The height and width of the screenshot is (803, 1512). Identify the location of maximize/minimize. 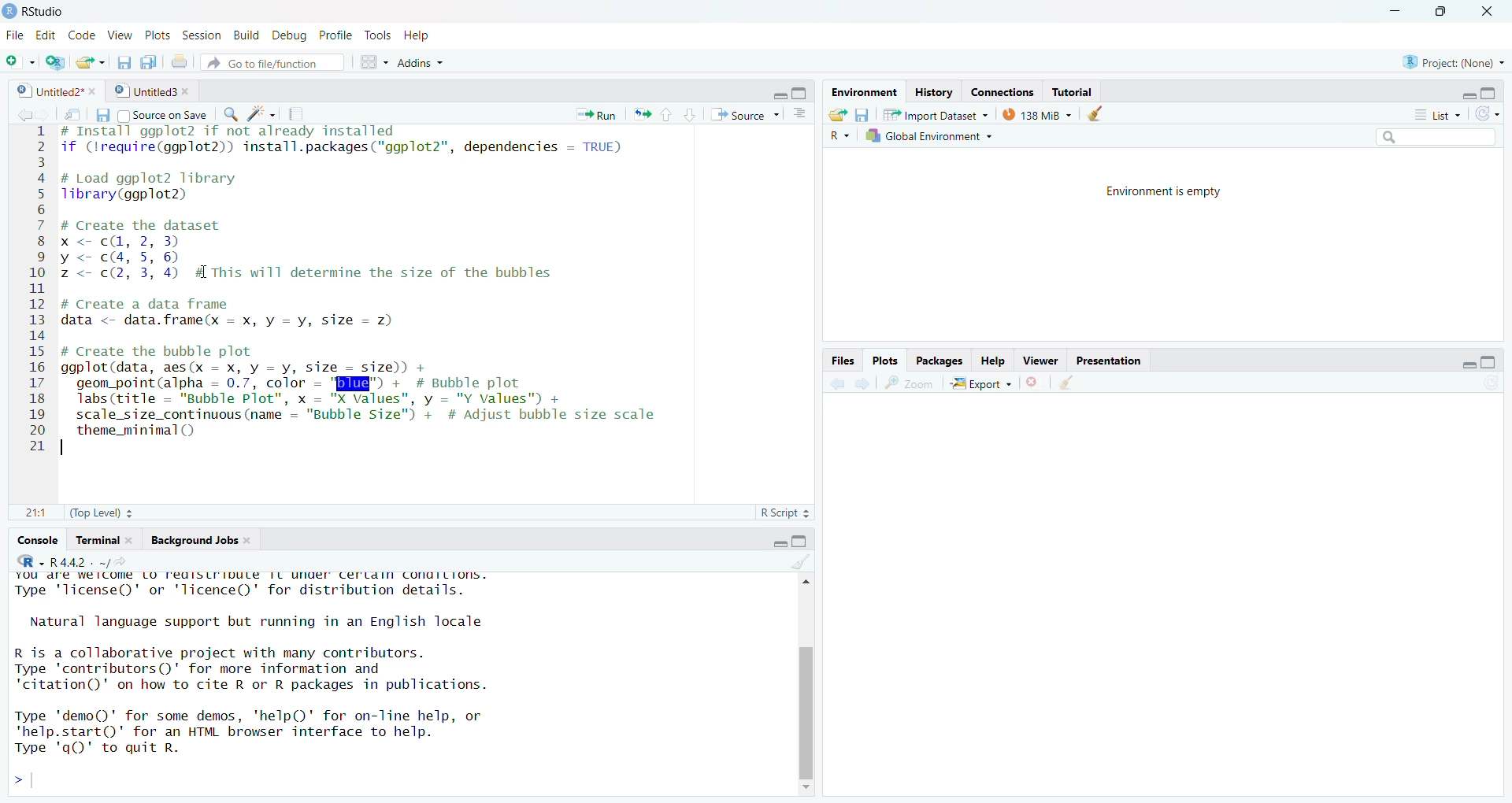
(1475, 90).